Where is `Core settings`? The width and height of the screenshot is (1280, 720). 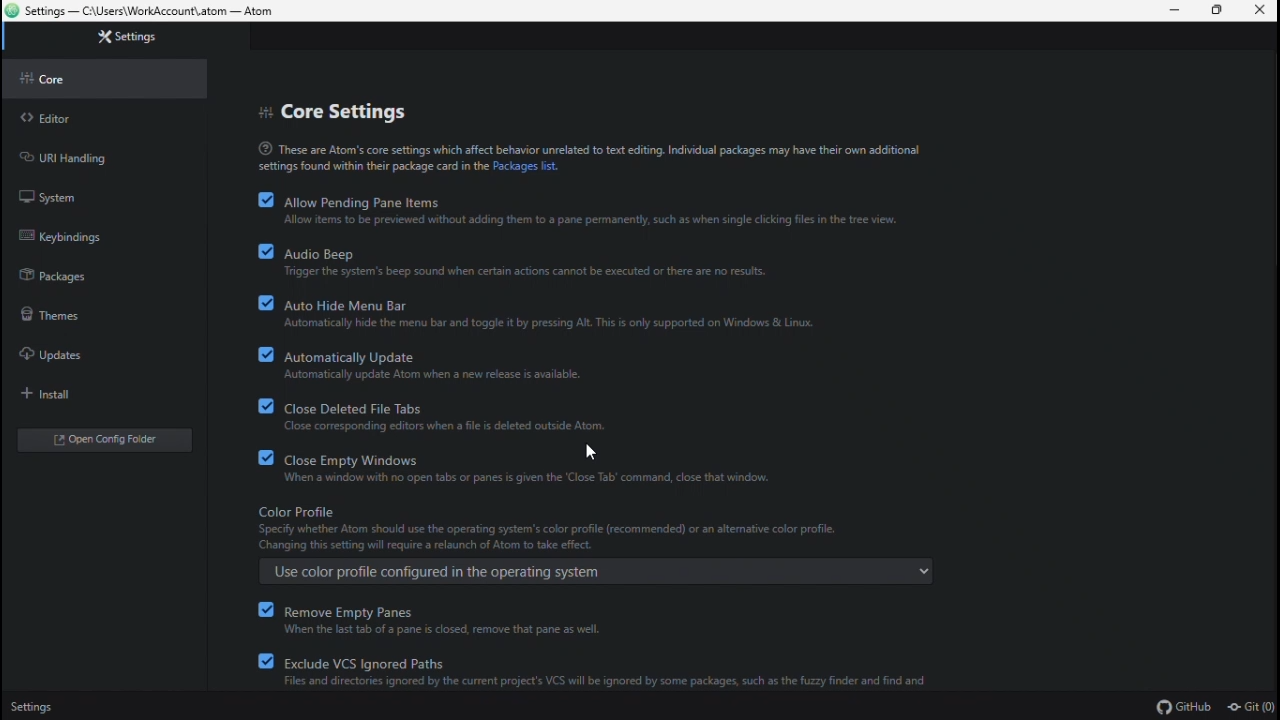
Core settings is located at coordinates (102, 79).